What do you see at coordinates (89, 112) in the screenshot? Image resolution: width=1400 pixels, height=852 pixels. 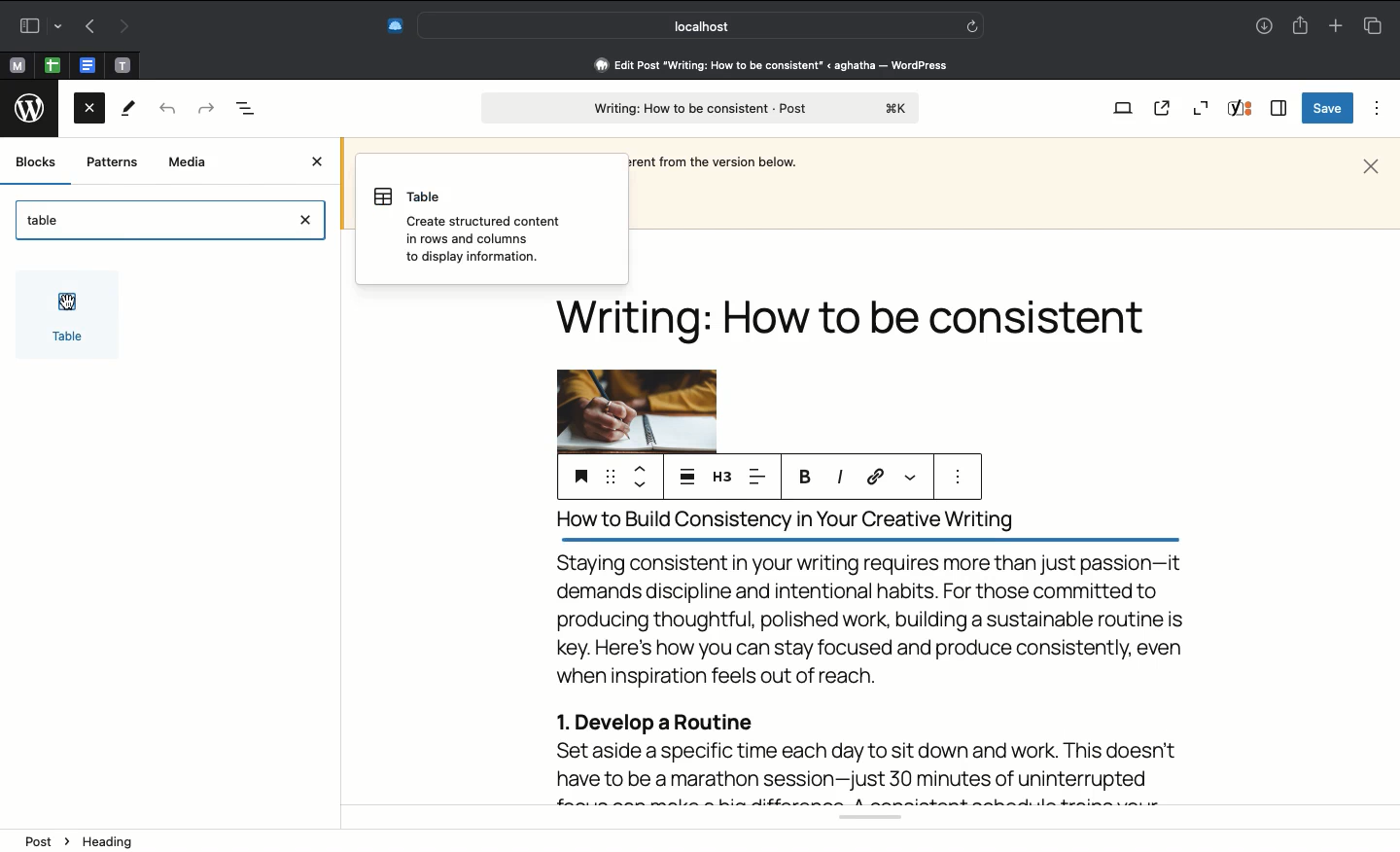 I see `Close` at bounding box center [89, 112].